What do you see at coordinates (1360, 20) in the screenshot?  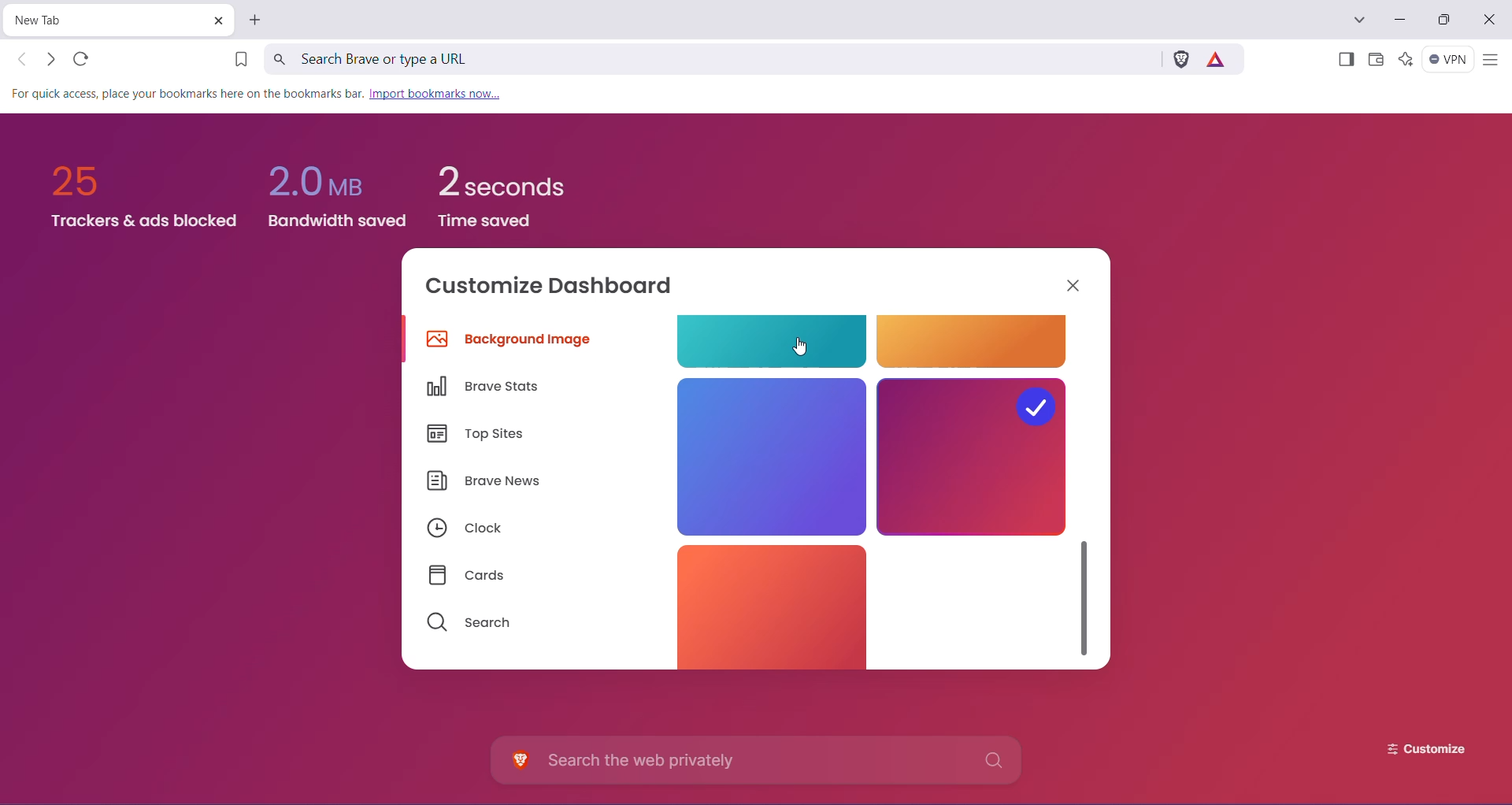 I see `Search Tabs` at bounding box center [1360, 20].